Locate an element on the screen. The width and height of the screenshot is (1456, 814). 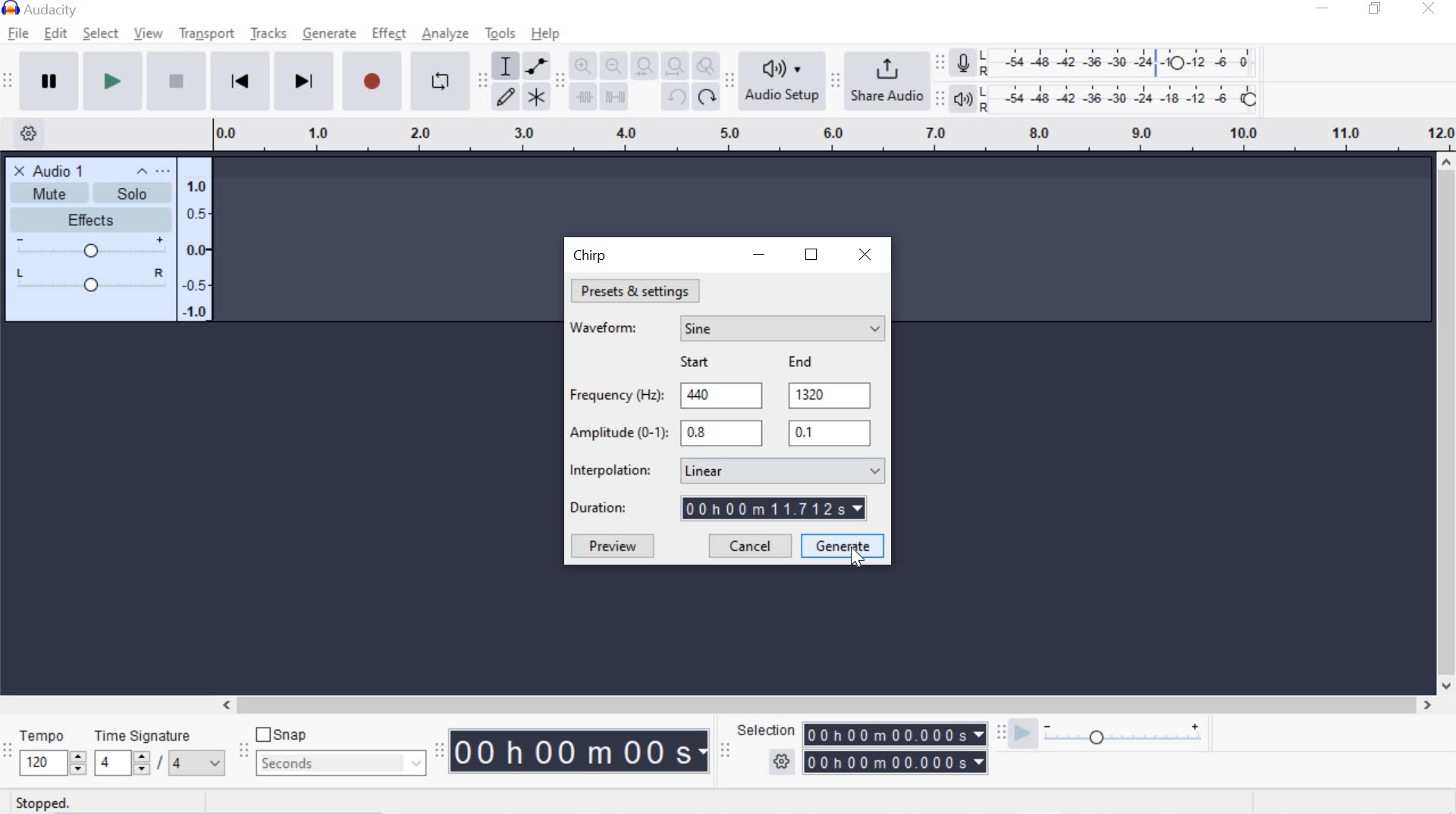
Delete track is located at coordinates (19, 169).